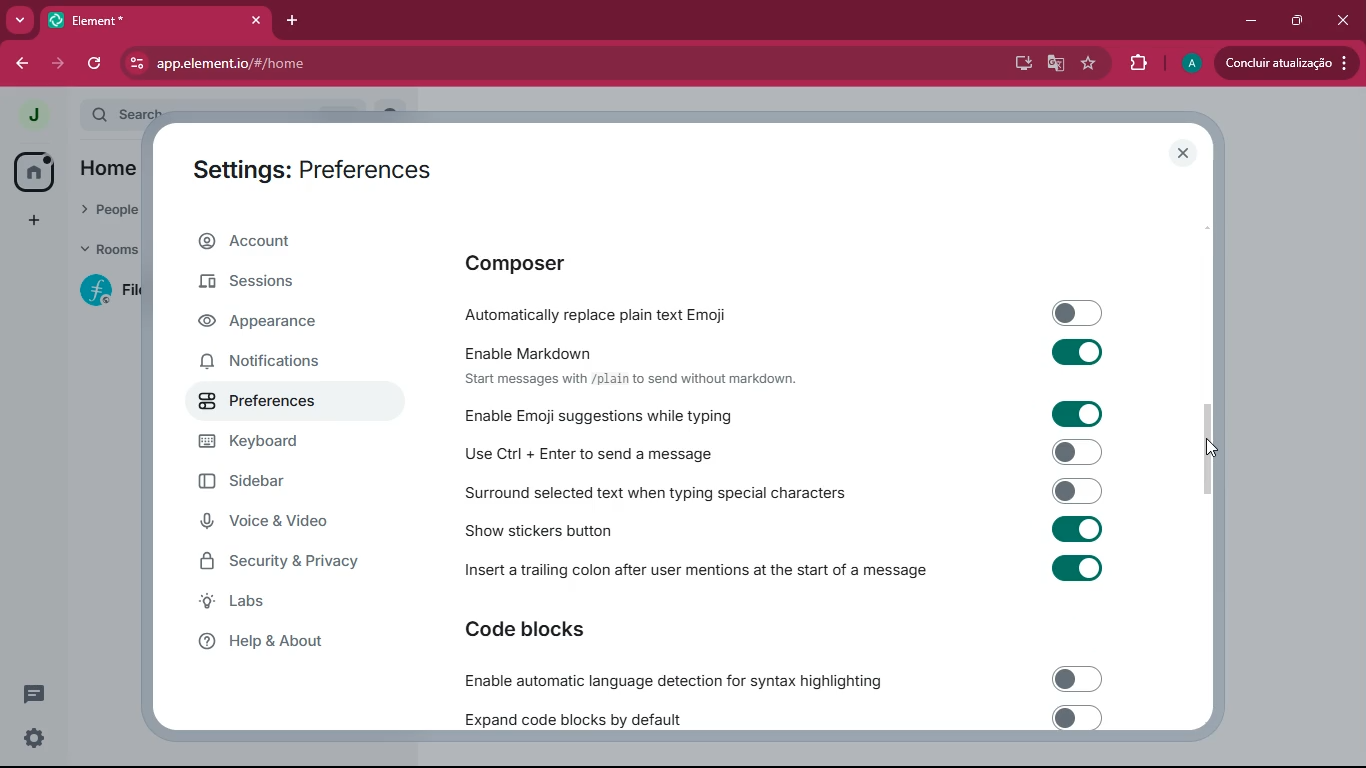 The image size is (1366, 768). Describe the element at coordinates (1015, 62) in the screenshot. I see `desktop` at that location.